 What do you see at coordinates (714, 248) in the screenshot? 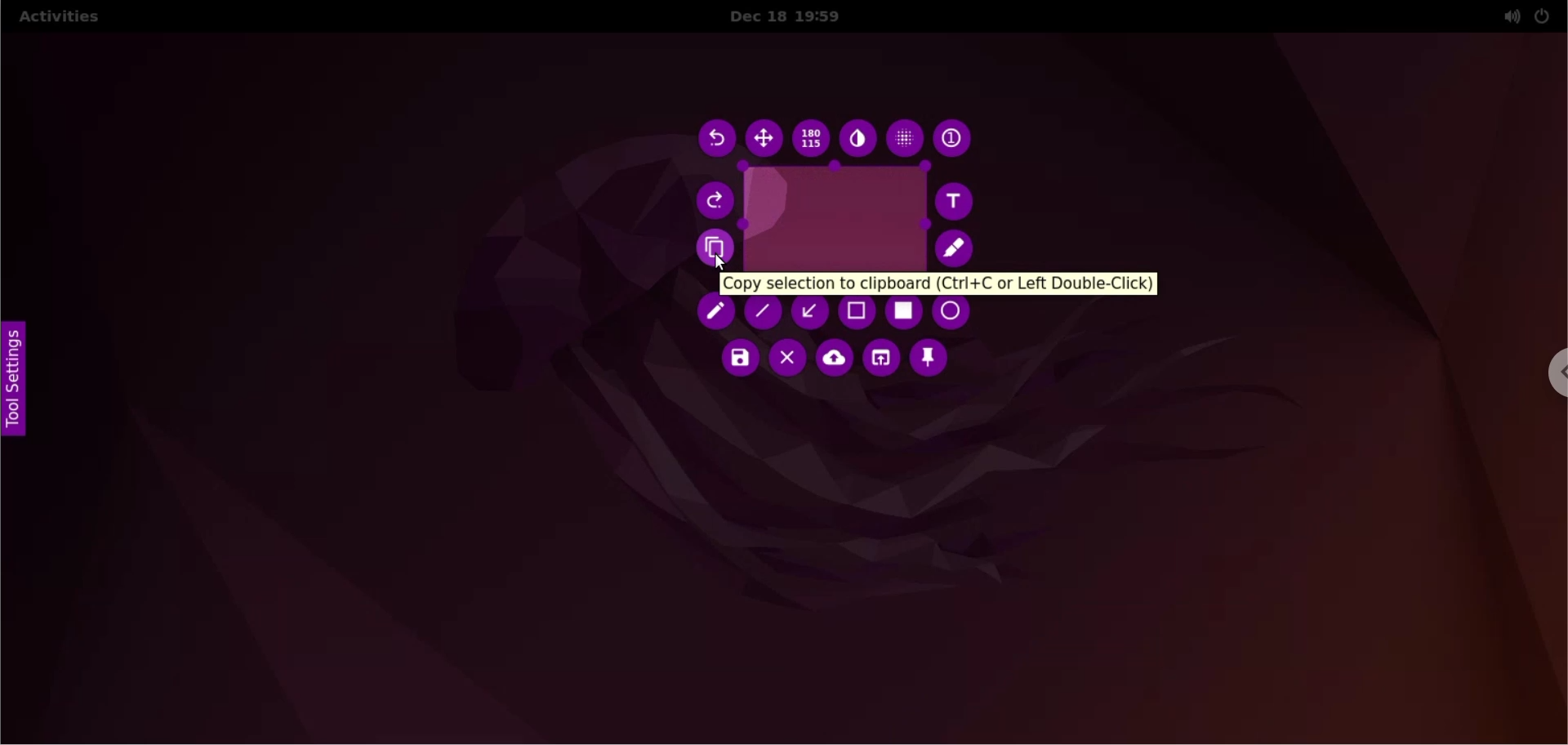
I see `copy ` at bounding box center [714, 248].